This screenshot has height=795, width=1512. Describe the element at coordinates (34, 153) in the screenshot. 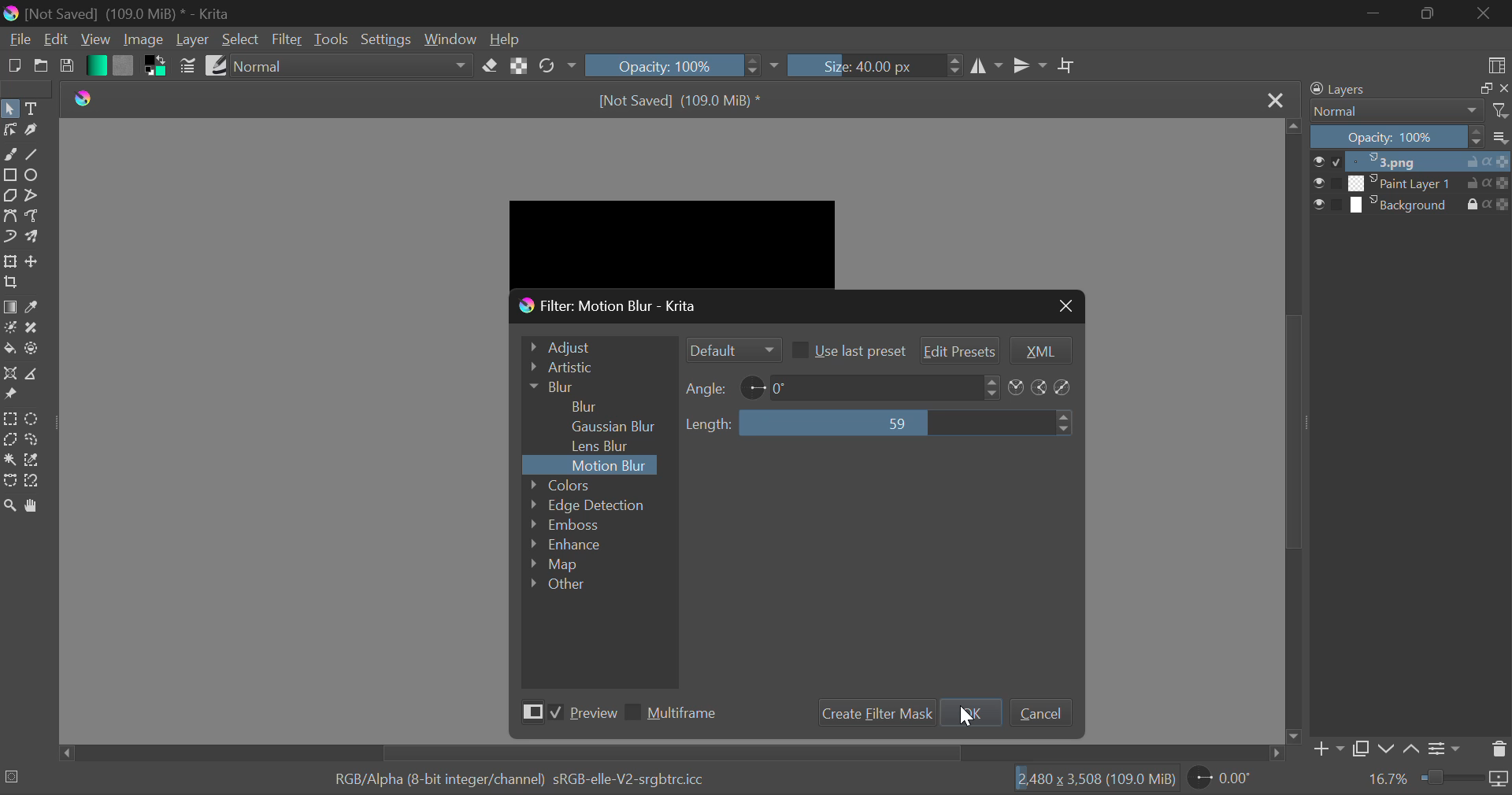

I see `Line` at that location.